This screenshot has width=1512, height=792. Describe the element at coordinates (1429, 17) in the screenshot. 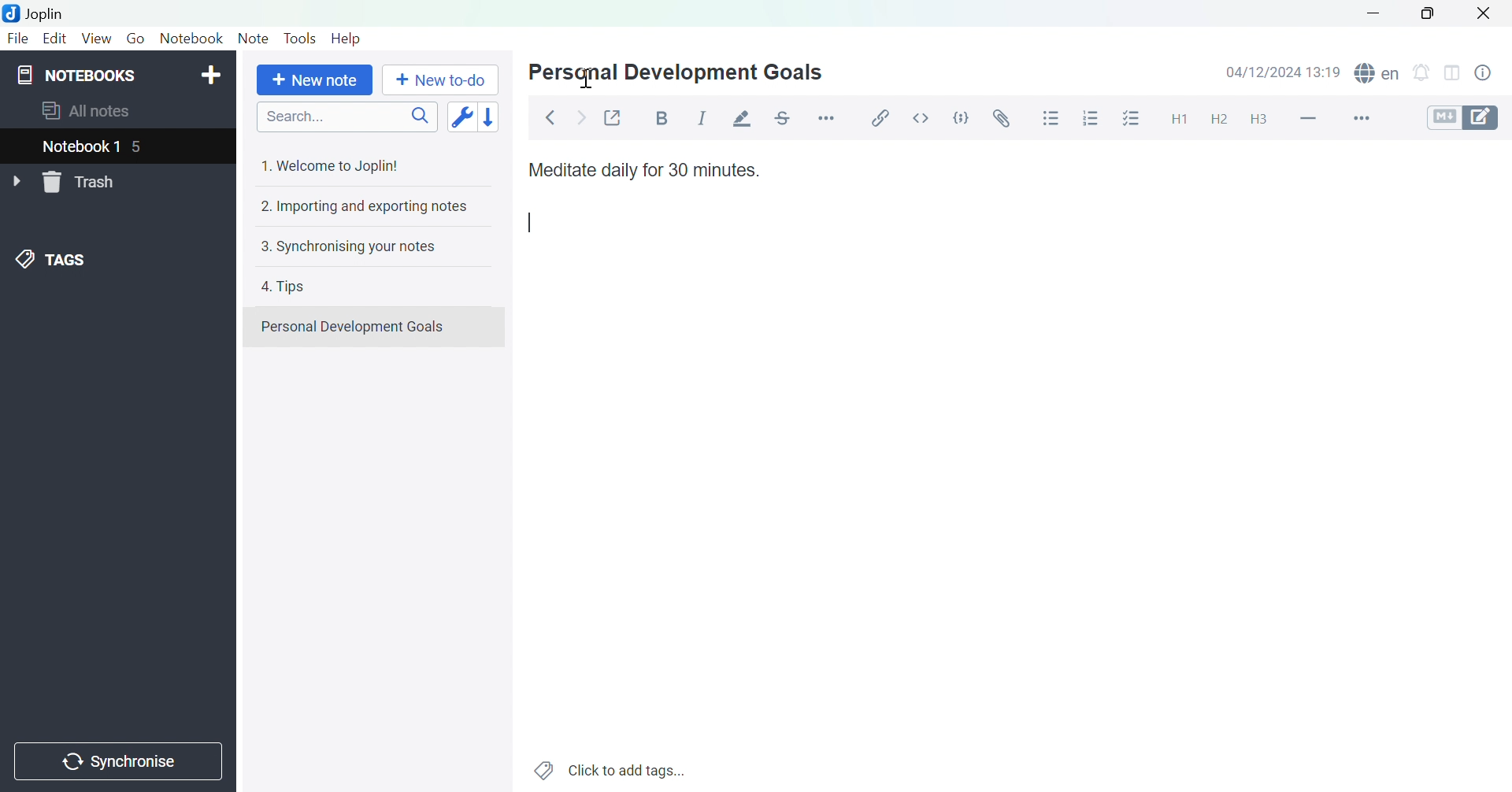

I see `Restore Down` at that location.